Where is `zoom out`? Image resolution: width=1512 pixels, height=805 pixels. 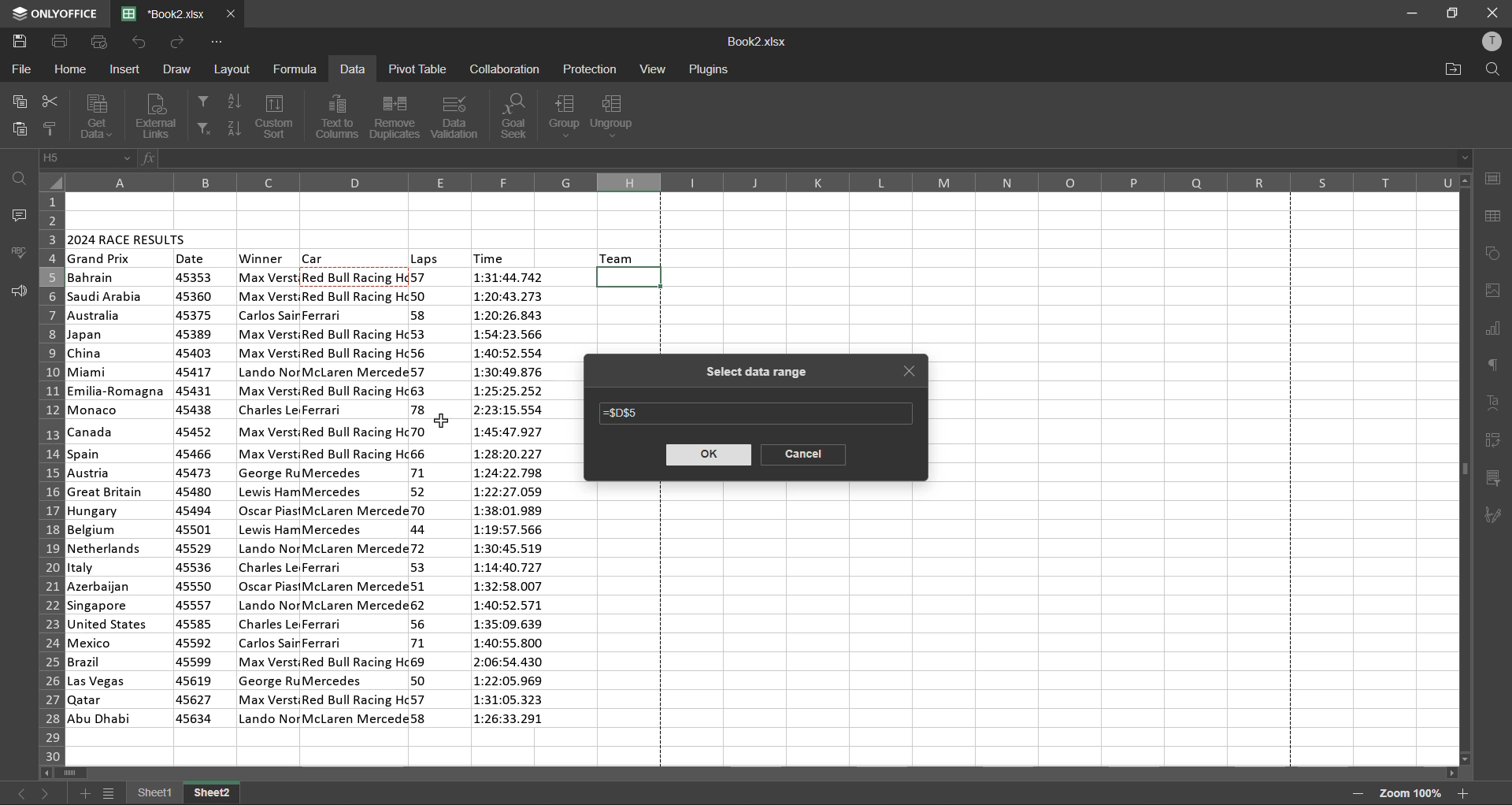 zoom out is located at coordinates (1356, 794).